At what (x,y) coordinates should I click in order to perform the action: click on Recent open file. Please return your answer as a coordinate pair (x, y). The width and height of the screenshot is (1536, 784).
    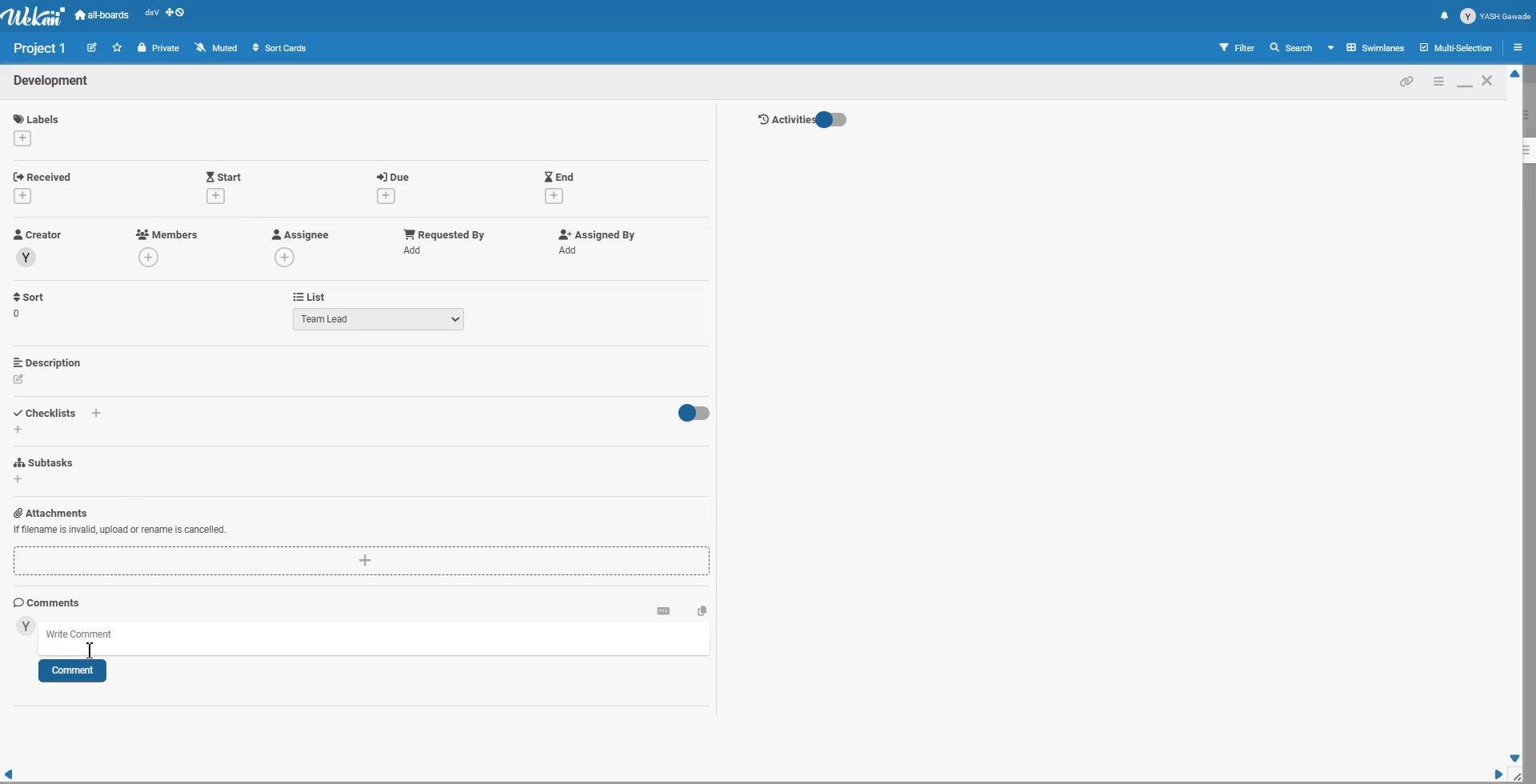
    Looking at the image, I should click on (151, 15).